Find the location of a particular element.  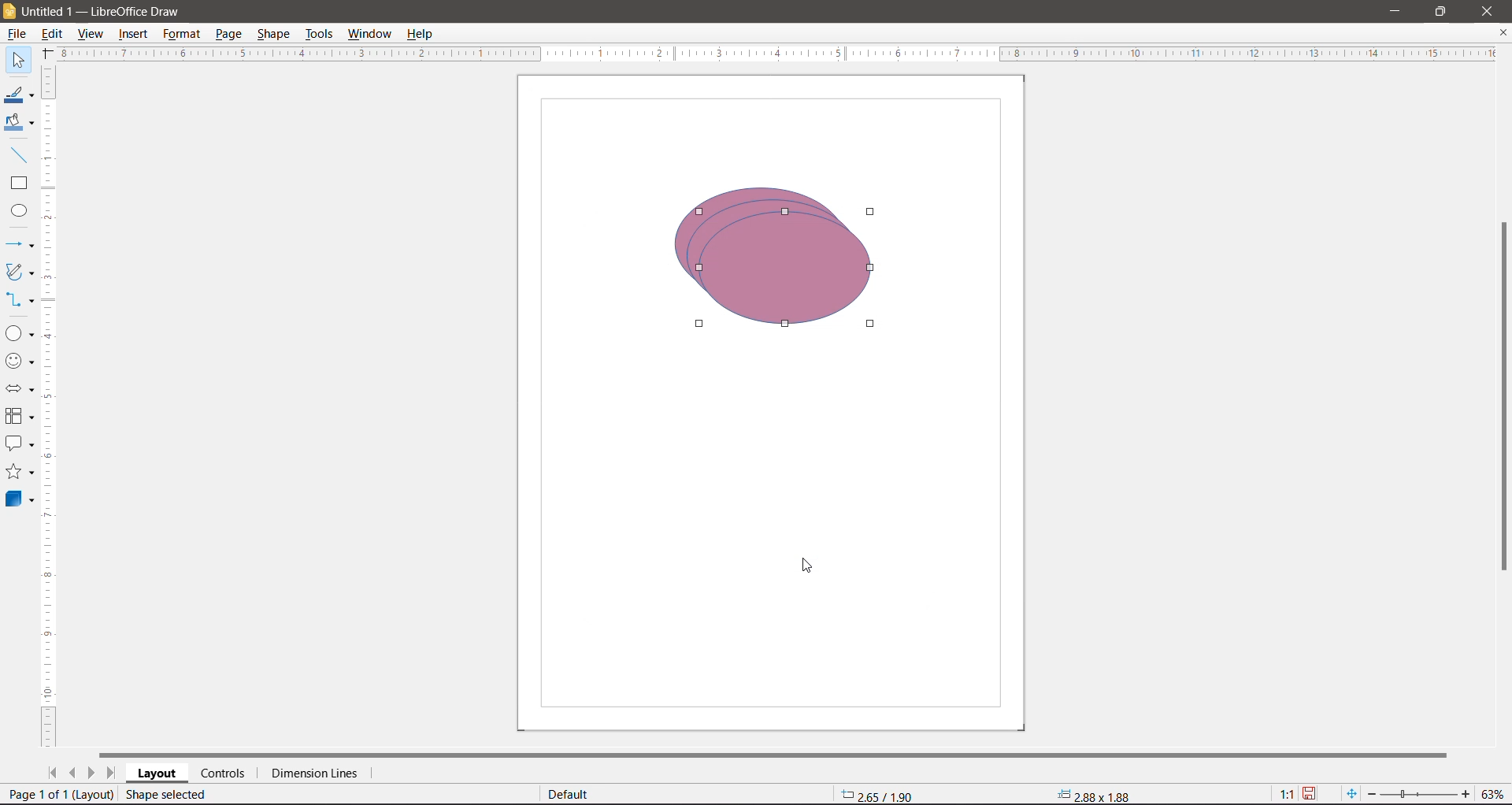

Flowchart is located at coordinates (20, 416).